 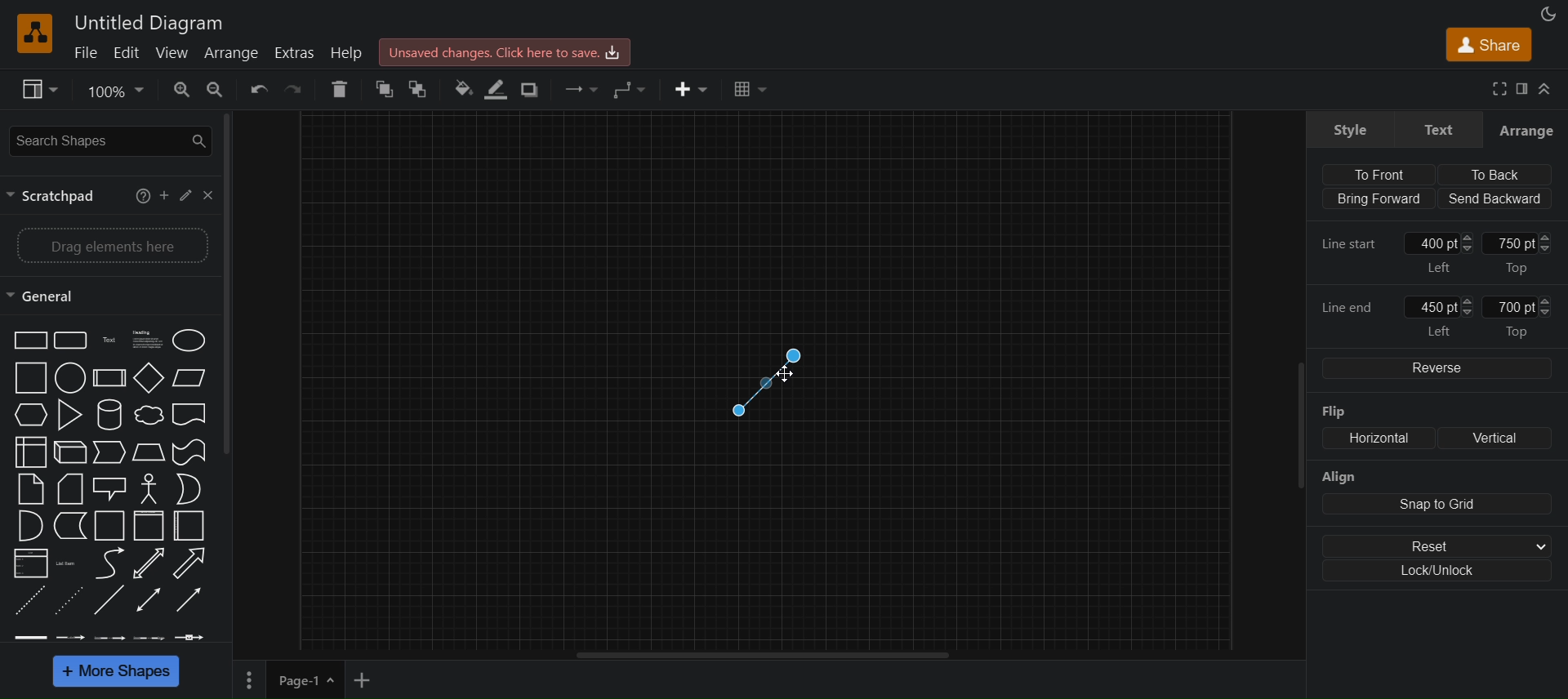 What do you see at coordinates (148, 377) in the screenshot?
I see `Diamond` at bounding box center [148, 377].